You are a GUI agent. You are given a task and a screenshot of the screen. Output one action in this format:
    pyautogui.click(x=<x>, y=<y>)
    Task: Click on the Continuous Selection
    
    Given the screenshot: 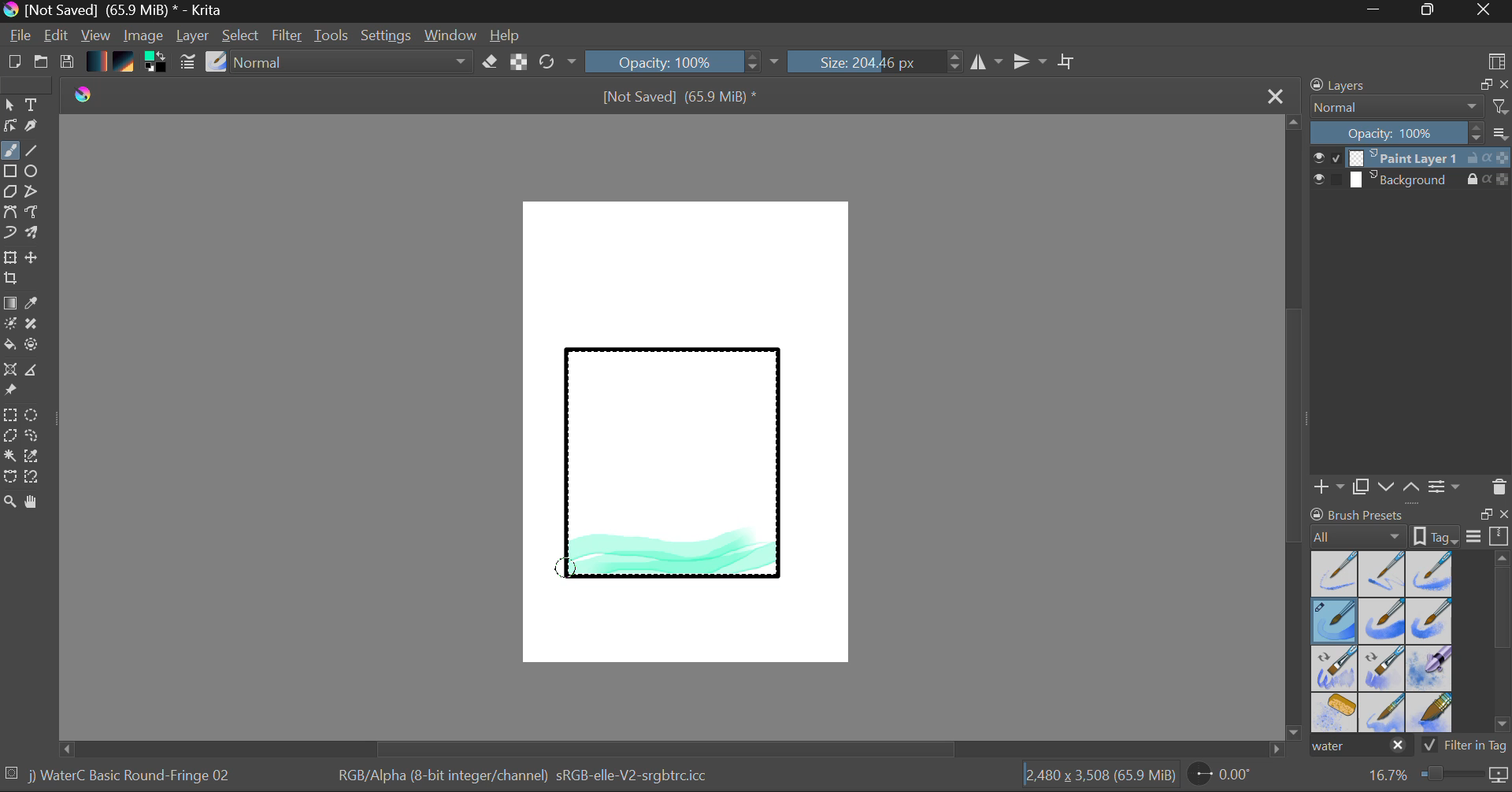 What is the action you would take?
    pyautogui.click(x=9, y=455)
    